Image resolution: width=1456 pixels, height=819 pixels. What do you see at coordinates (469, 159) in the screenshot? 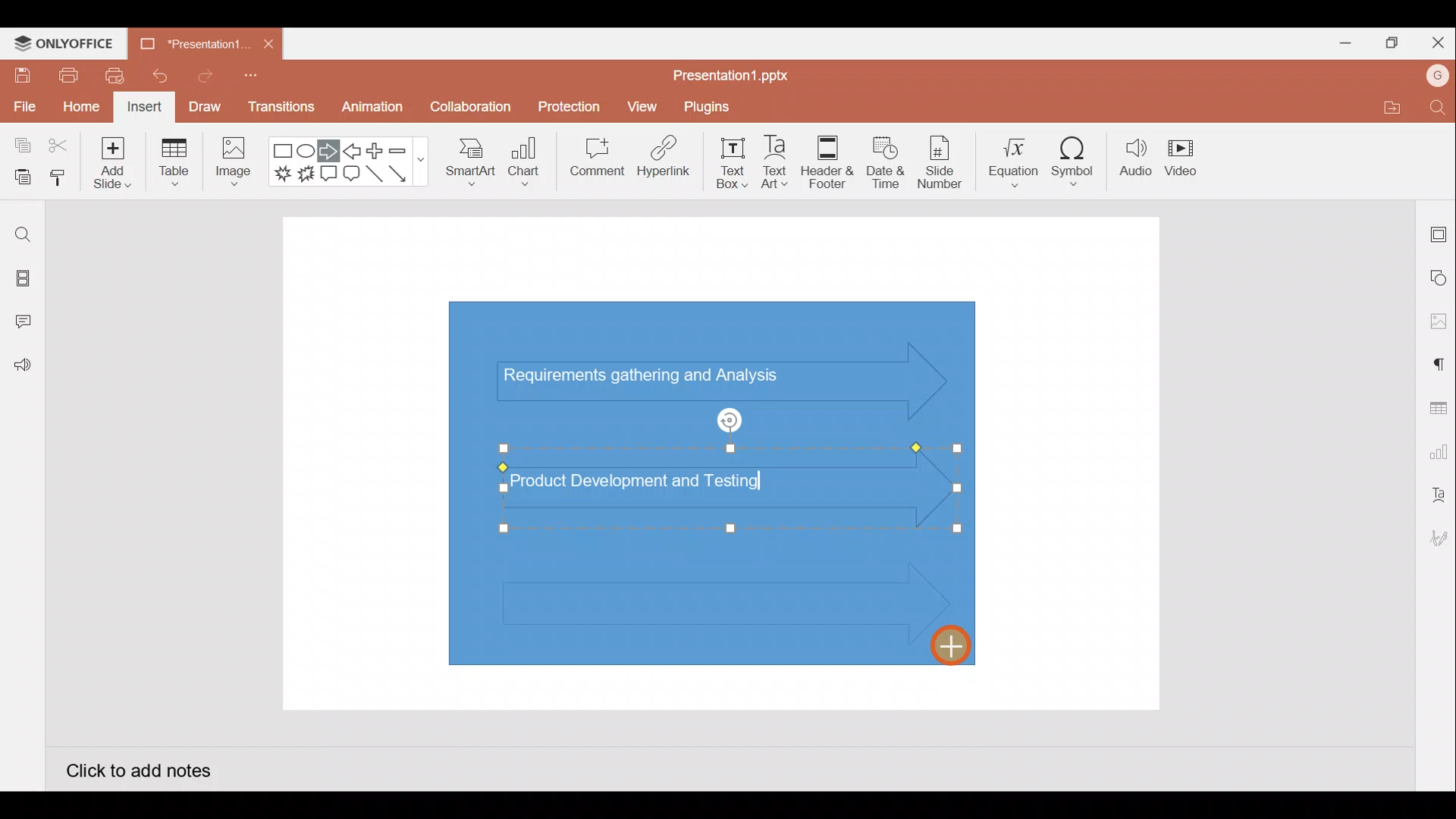
I see `SmartArt` at bounding box center [469, 159].